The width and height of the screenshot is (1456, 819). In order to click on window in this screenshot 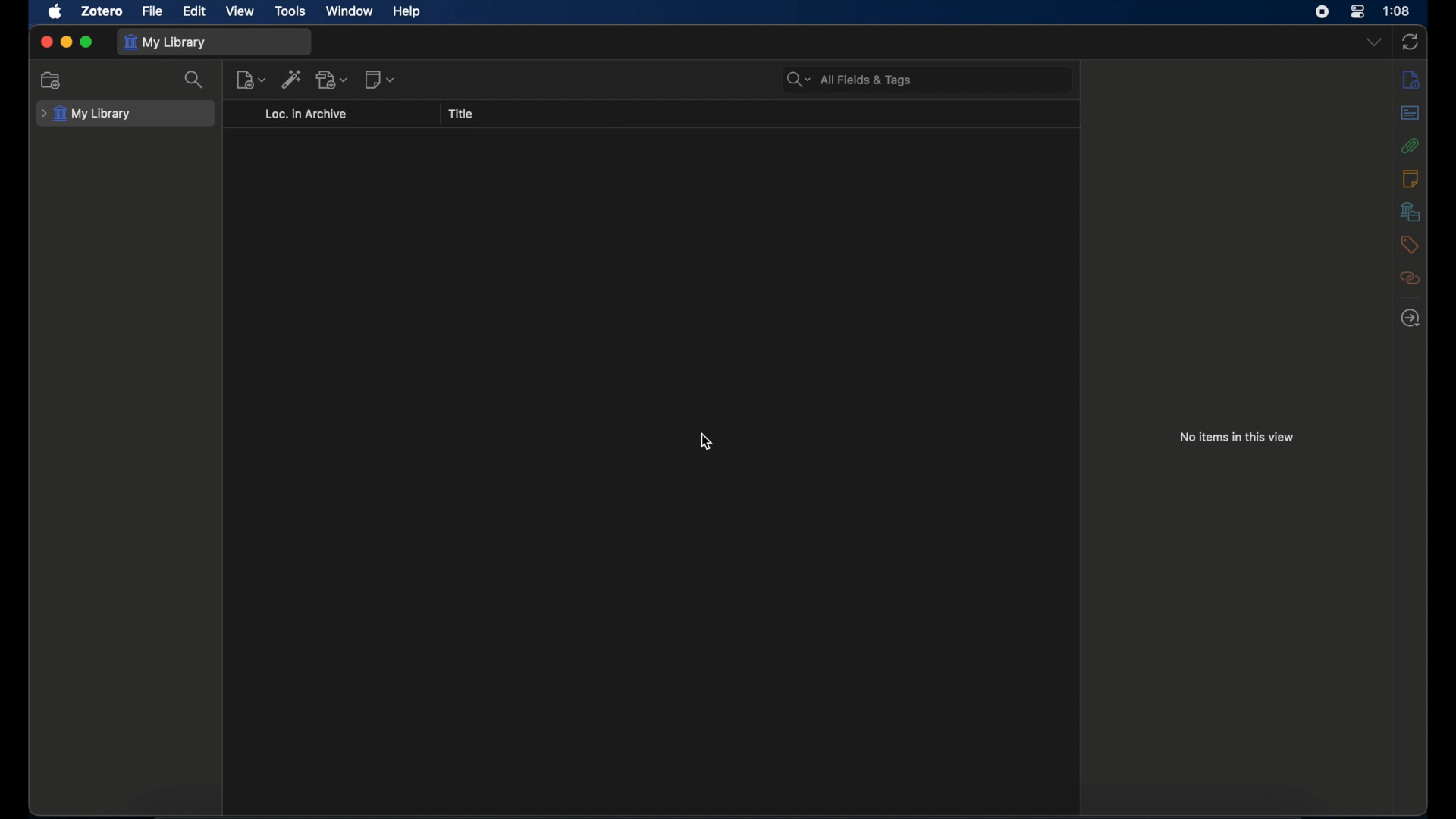, I will do `click(351, 11)`.